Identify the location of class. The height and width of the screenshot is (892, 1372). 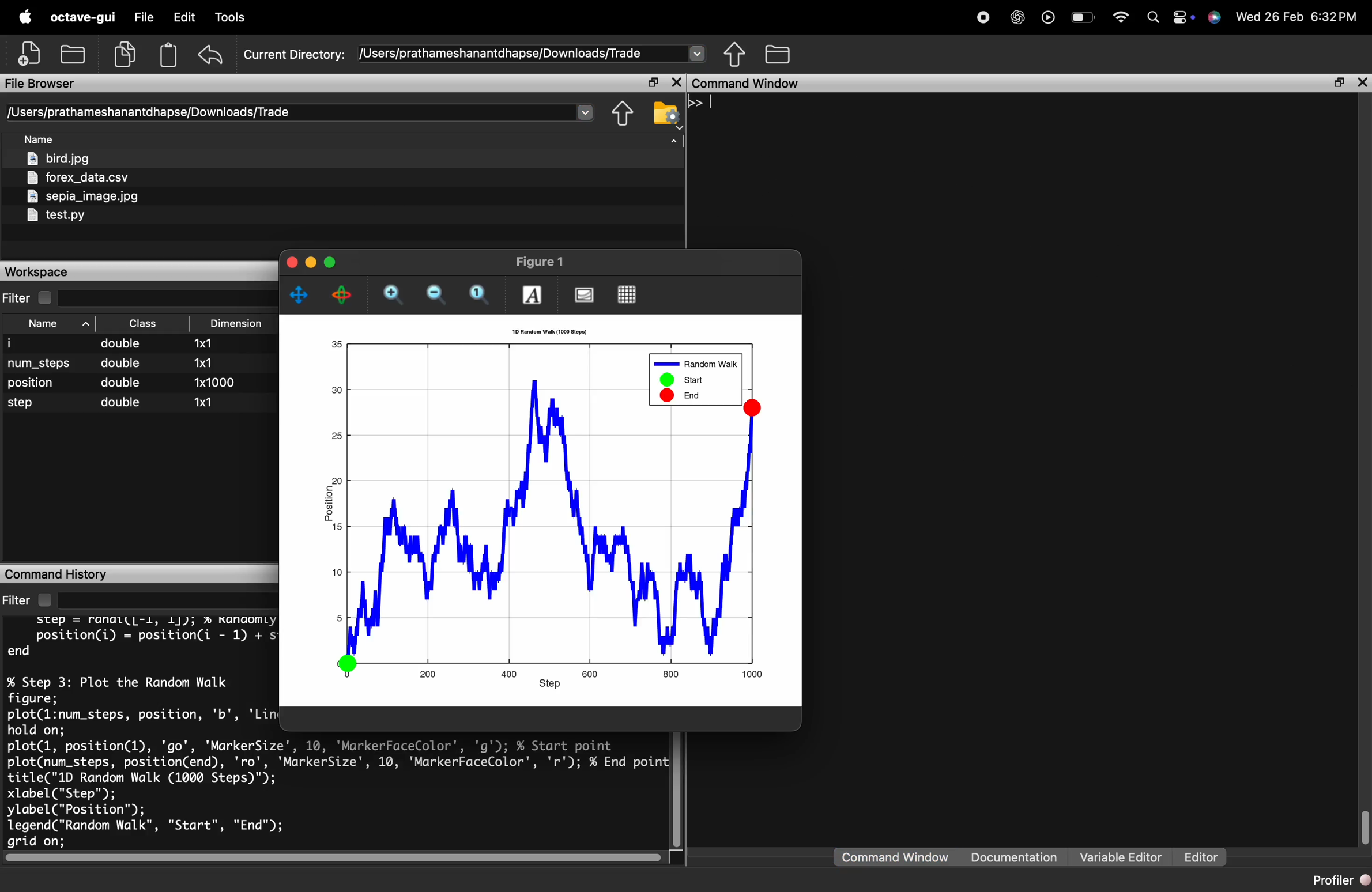
(127, 375).